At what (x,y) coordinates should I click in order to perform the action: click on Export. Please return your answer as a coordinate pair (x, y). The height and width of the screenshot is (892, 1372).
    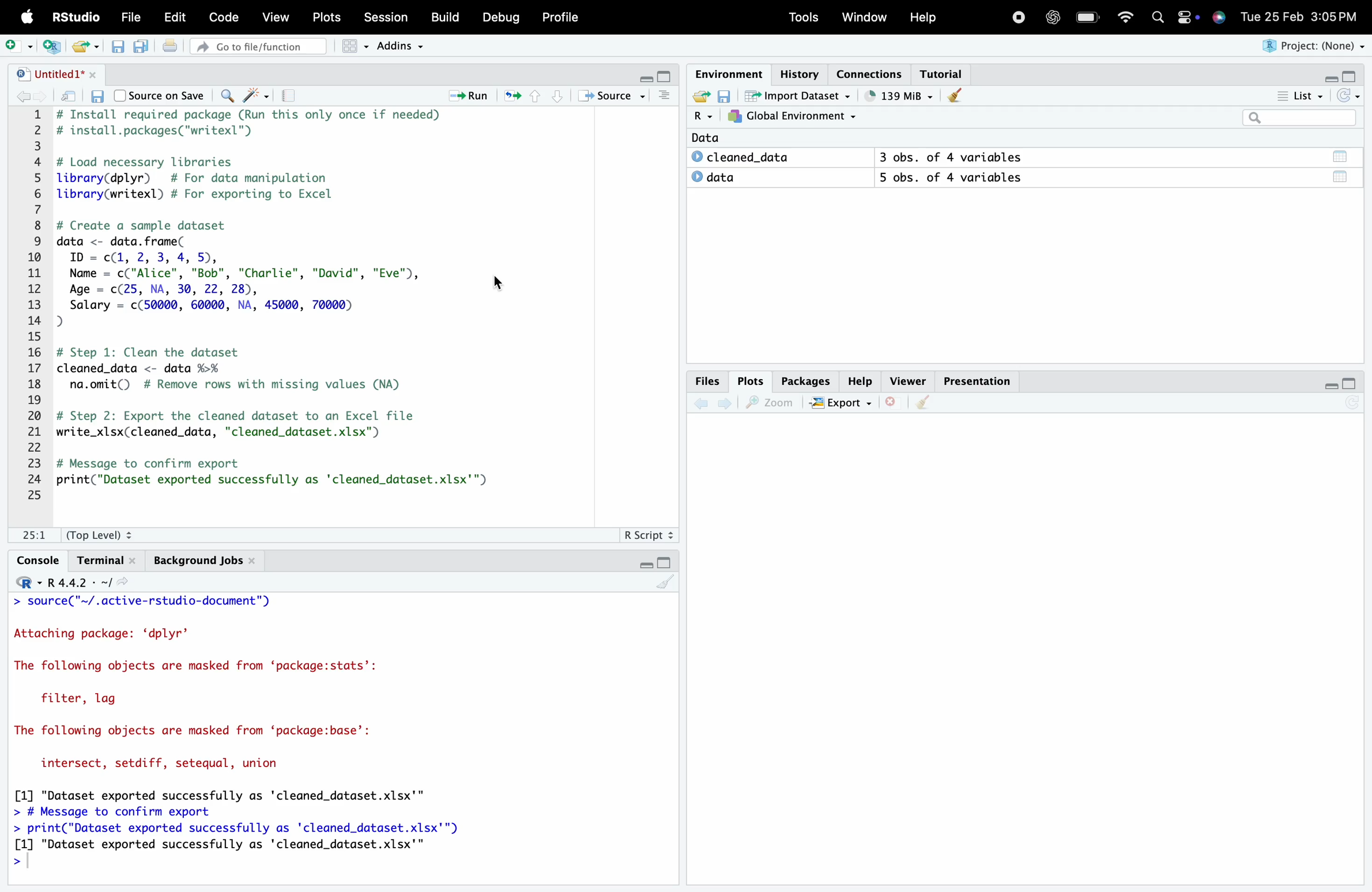
    Looking at the image, I should click on (845, 402).